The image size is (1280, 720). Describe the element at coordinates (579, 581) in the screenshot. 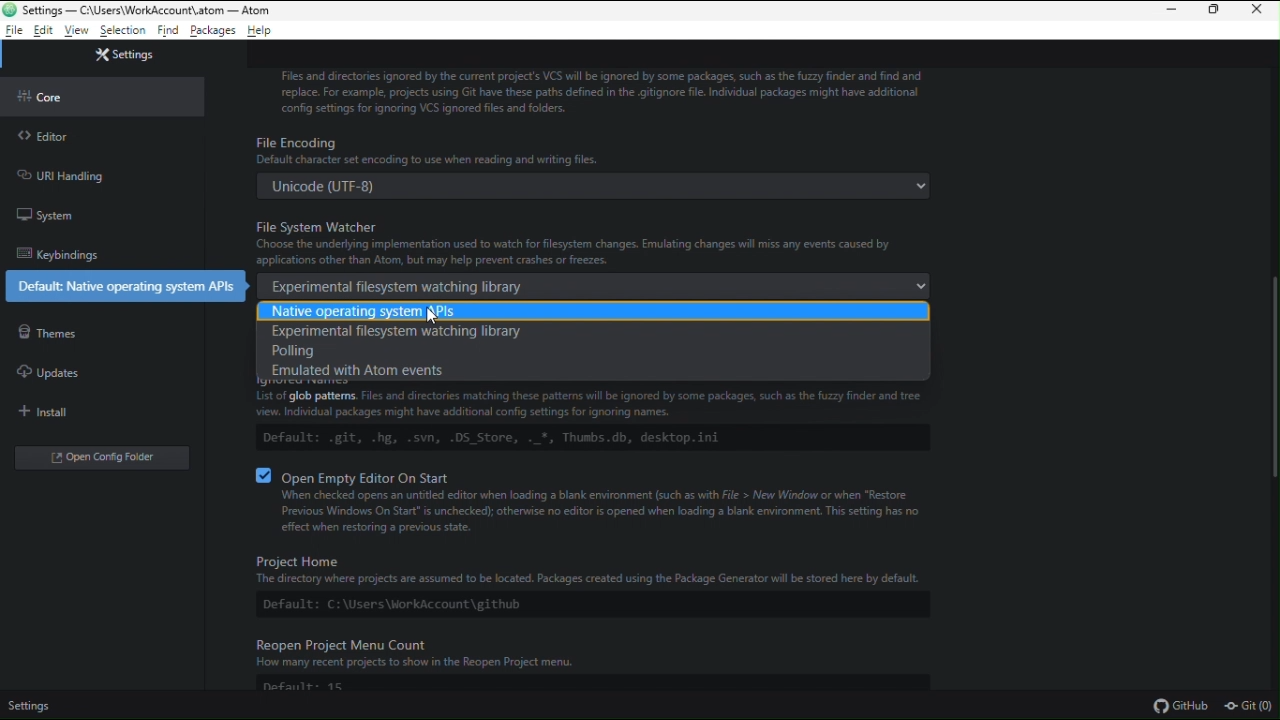

I see `Project home` at that location.